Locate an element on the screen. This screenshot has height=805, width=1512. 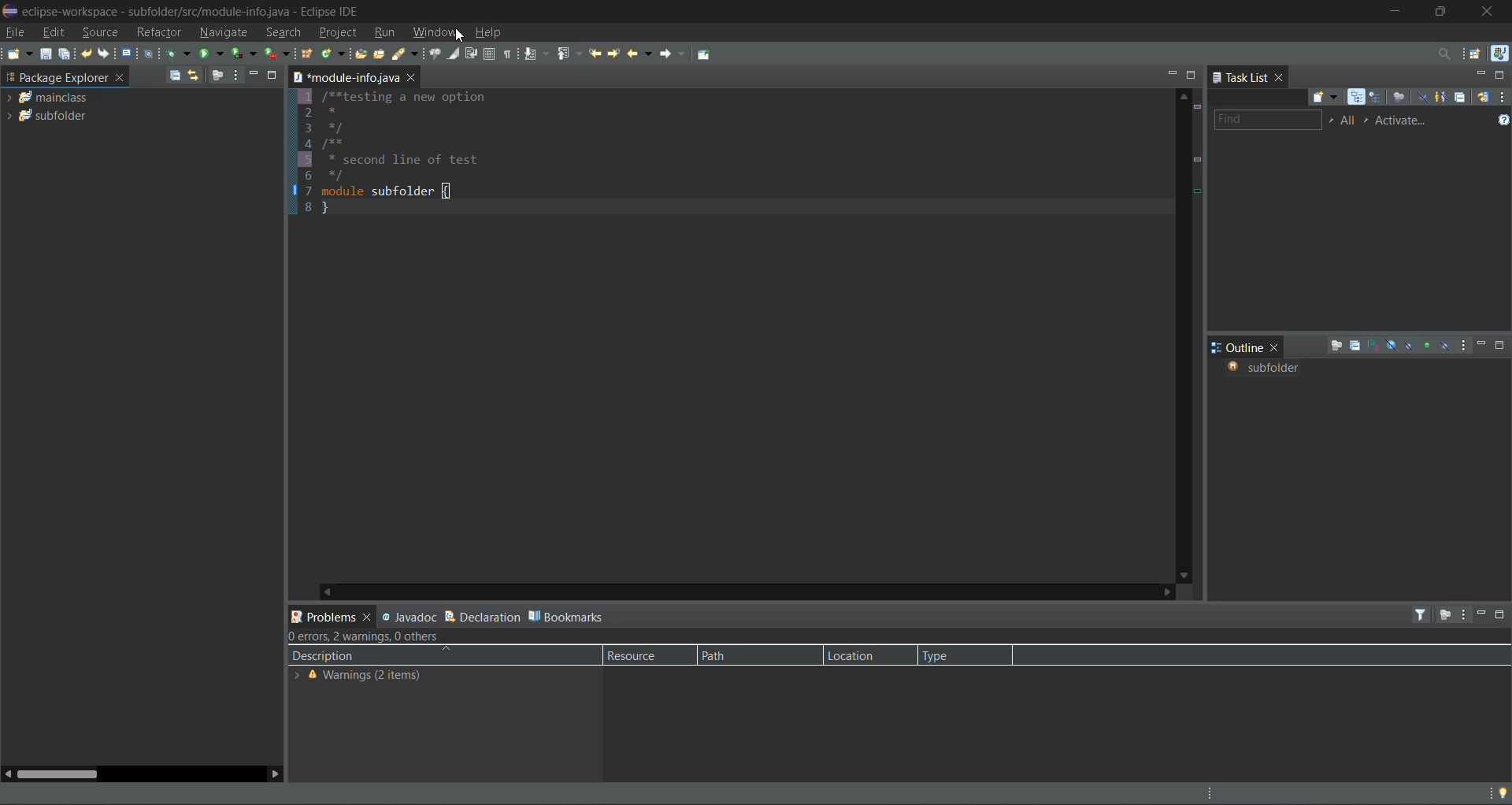
declaration is located at coordinates (482, 617).